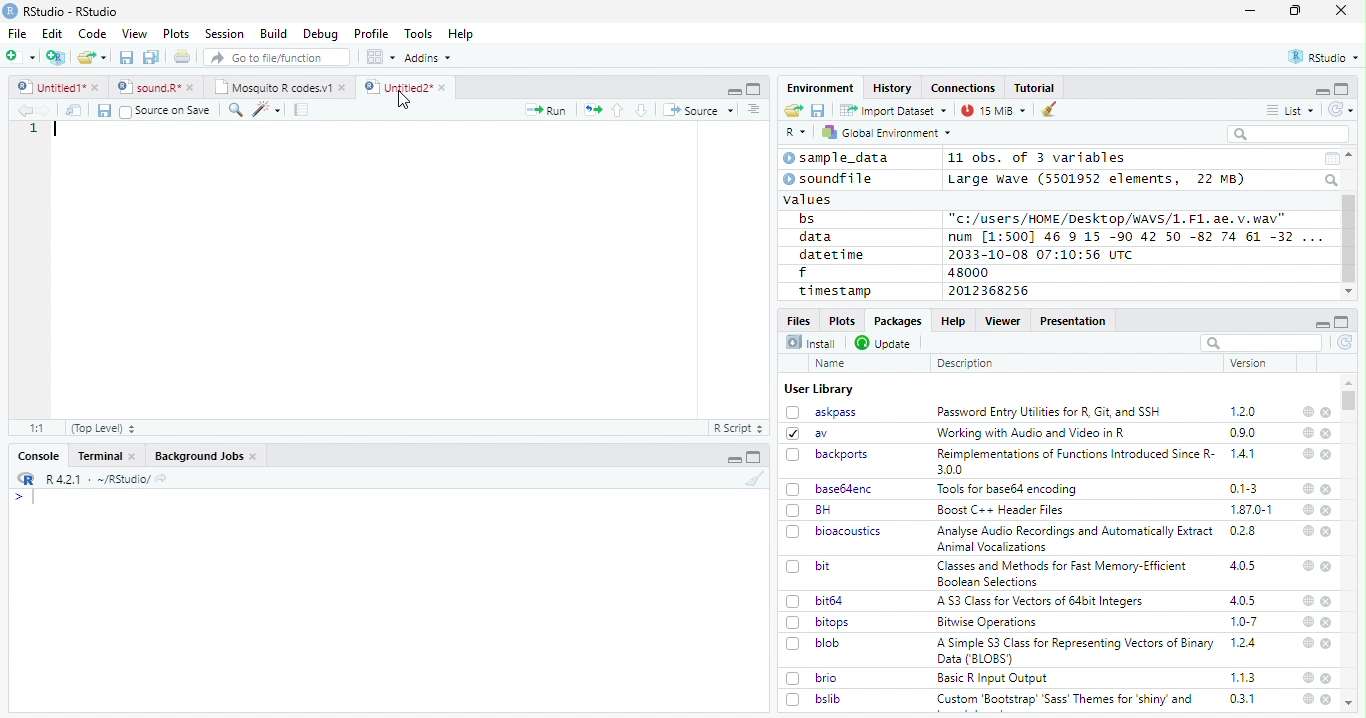 The width and height of the screenshot is (1366, 718). I want to click on Show document outline, so click(752, 109).